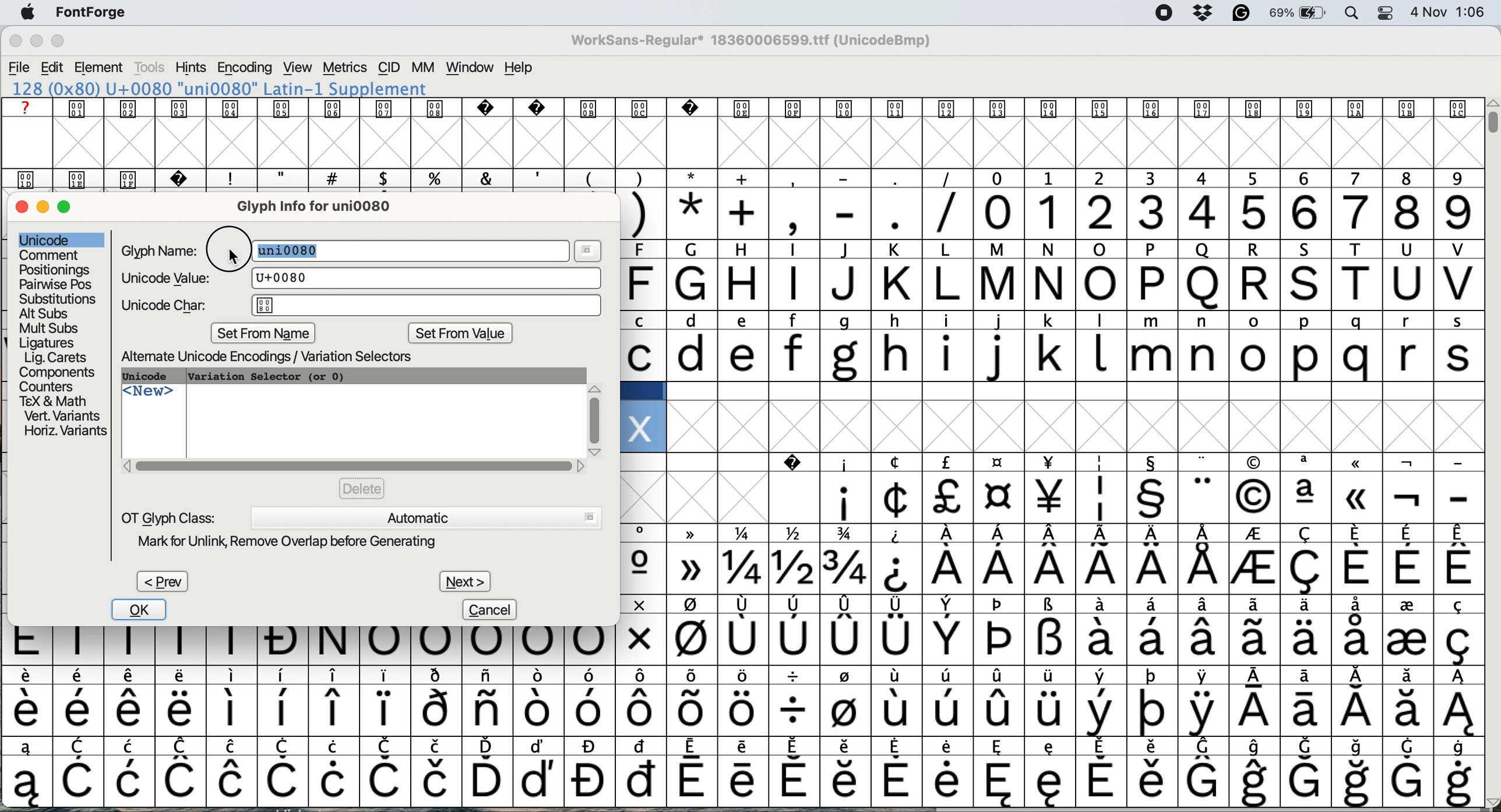 The image size is (1501, 812). I want to click on close, so click(15, 43).